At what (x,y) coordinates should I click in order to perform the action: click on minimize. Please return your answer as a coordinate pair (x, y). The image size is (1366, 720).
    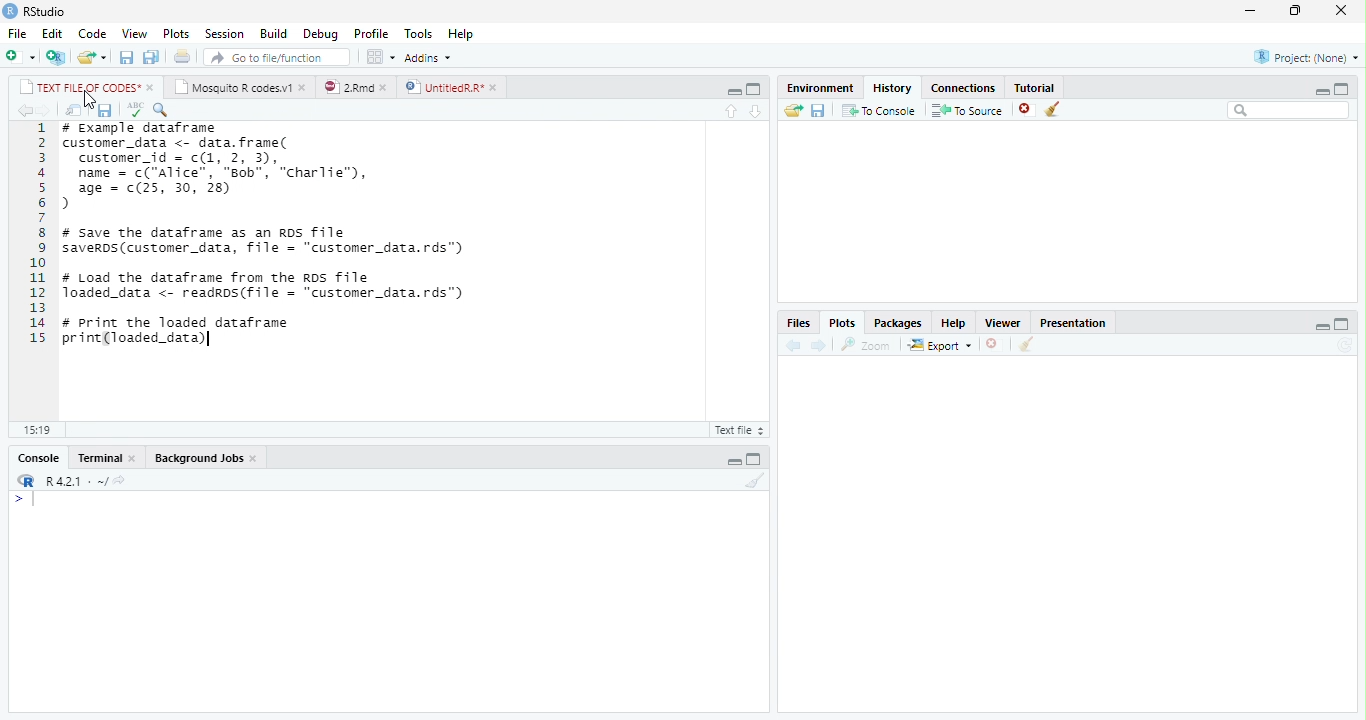
    Looking at the image, I should click on (734, 462).